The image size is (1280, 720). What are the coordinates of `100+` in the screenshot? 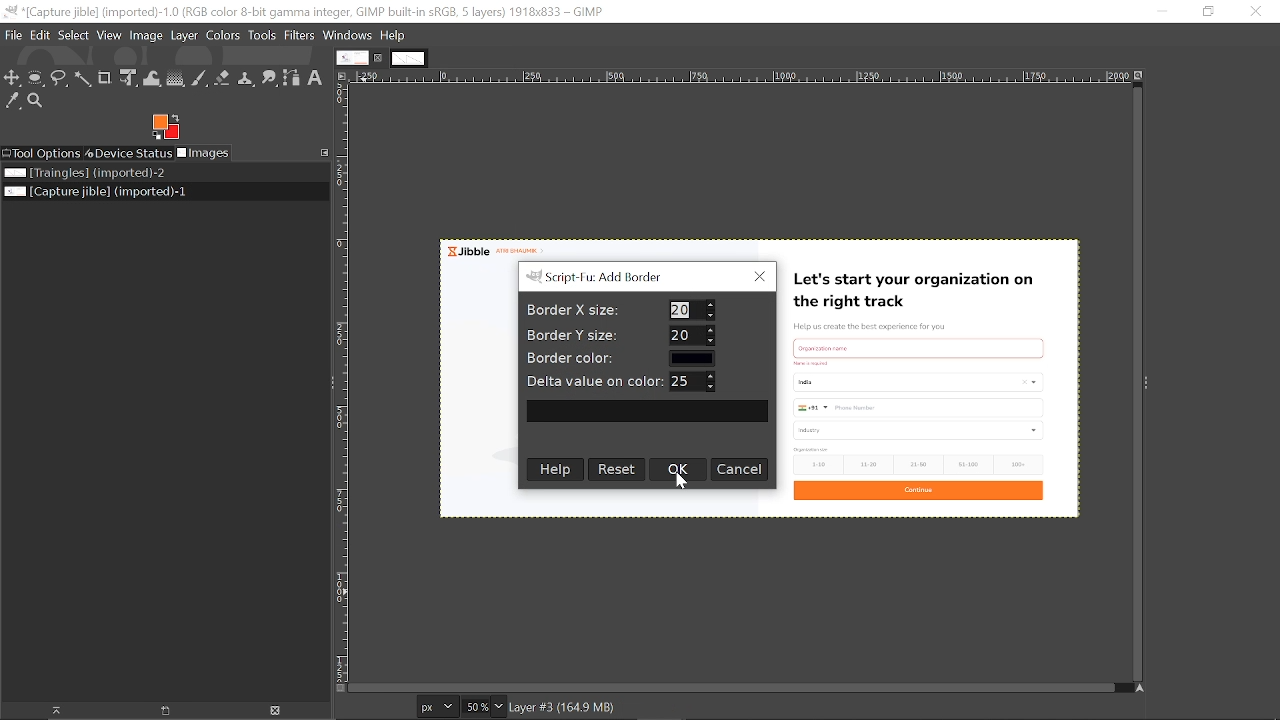 It's located at (1024, 465).